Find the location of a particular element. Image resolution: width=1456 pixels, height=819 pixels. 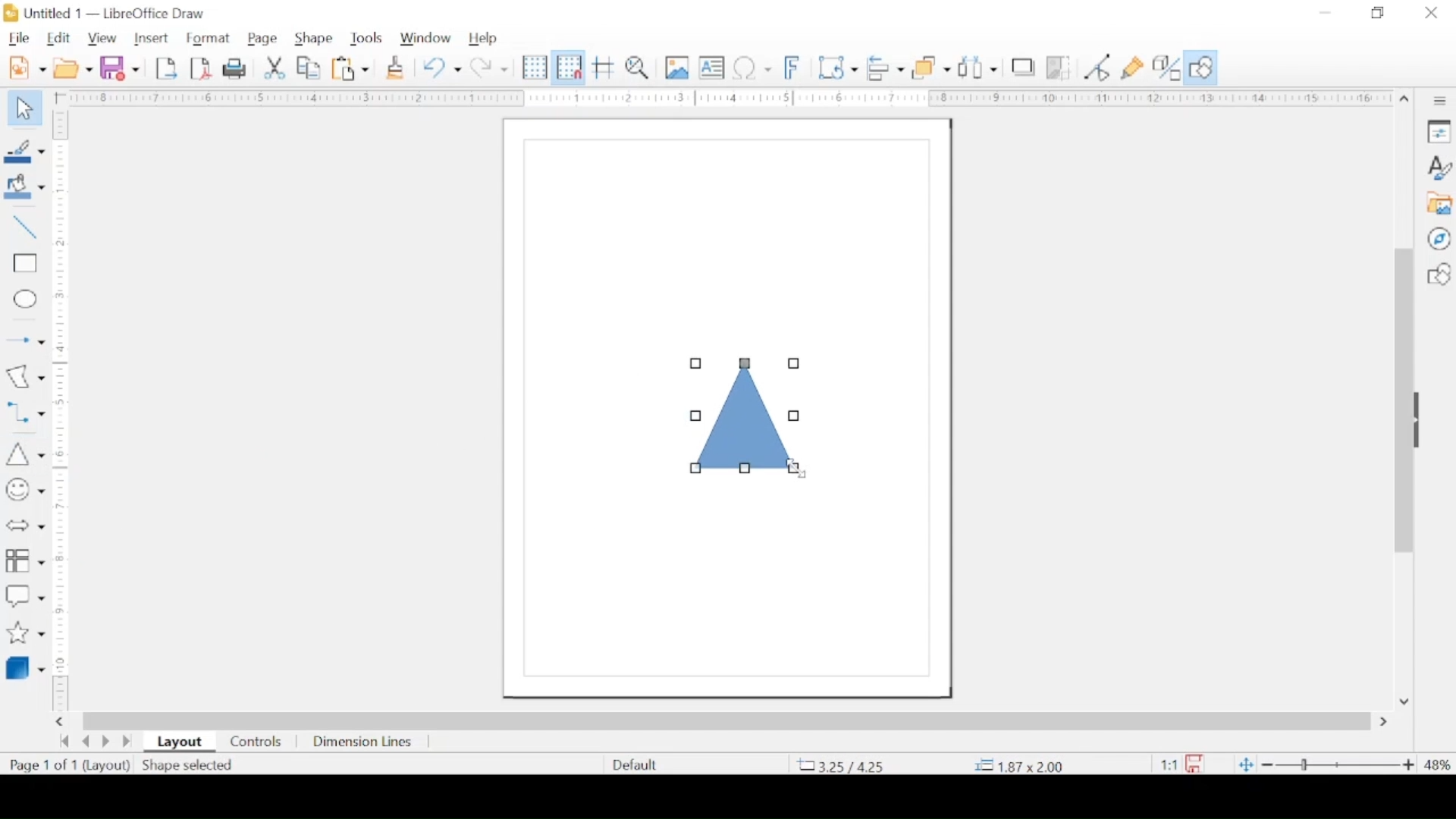

scroll up  is located at coordinates (1404, 99).